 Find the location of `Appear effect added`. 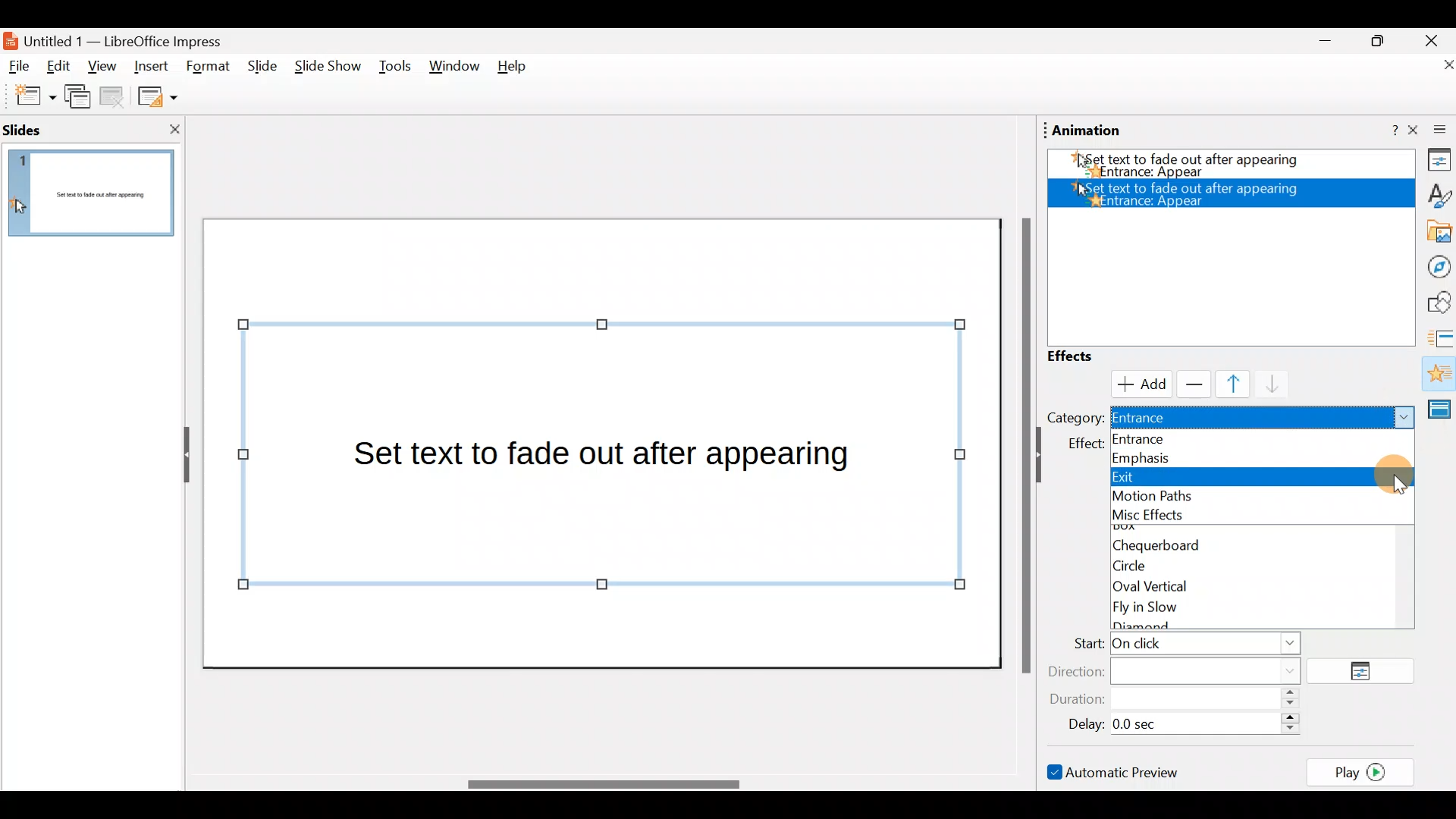

Appear effect added is located at coordinates (1191, 193).